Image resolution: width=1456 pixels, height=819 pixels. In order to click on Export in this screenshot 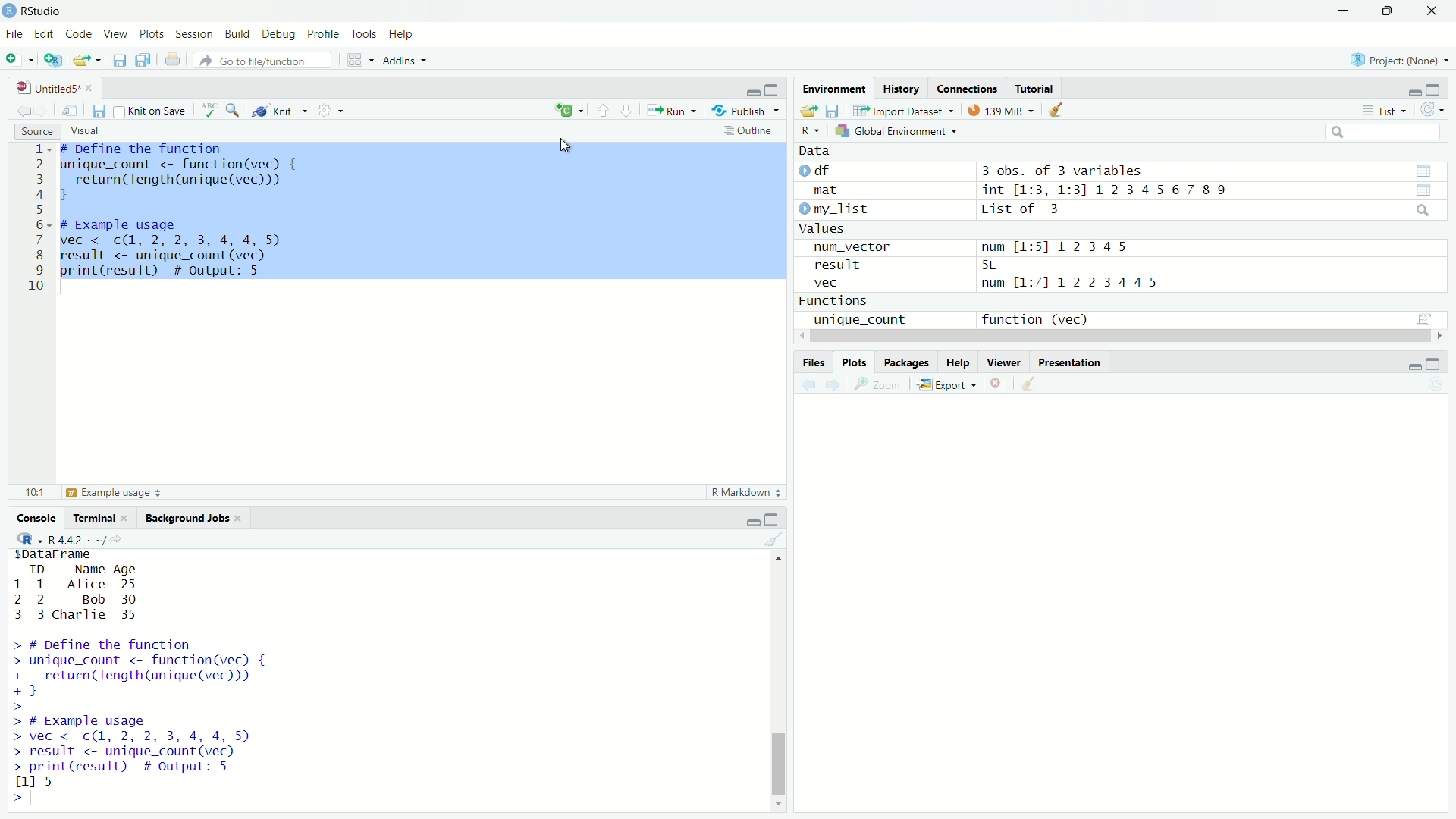, I will do `click(946, 385)`.